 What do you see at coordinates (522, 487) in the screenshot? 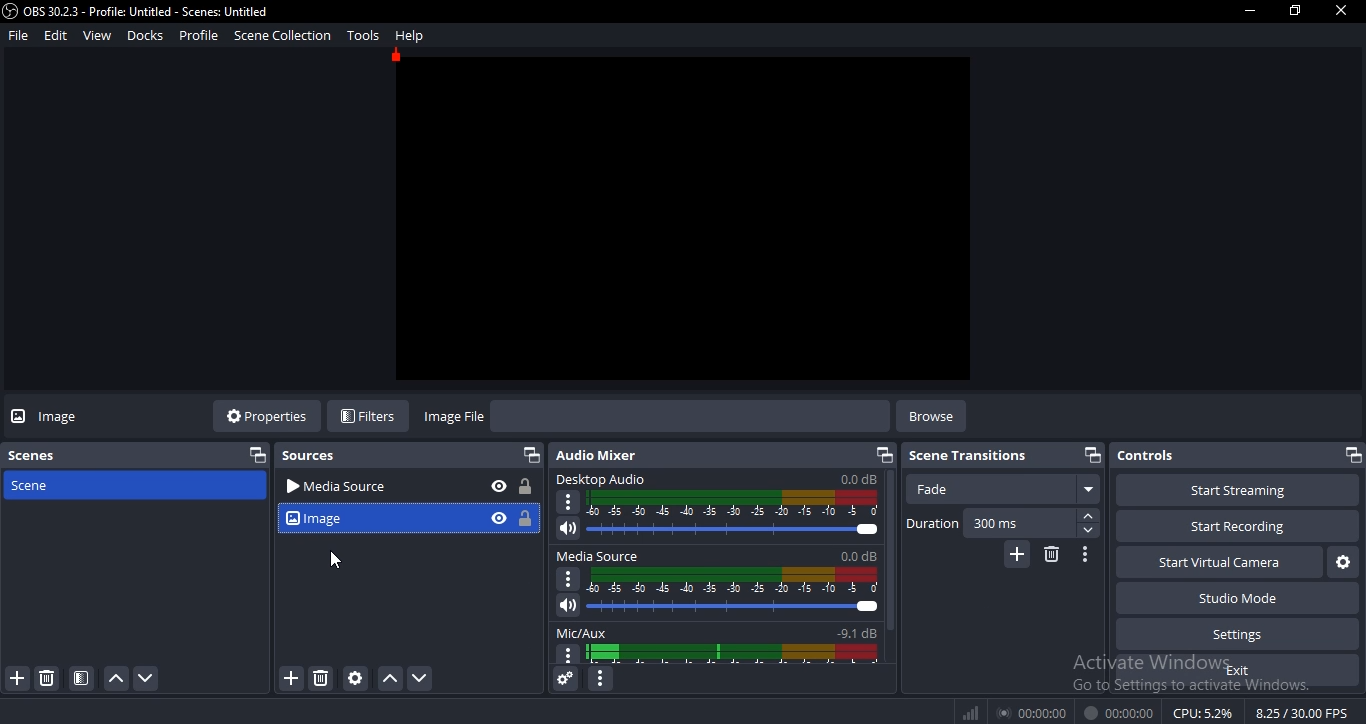
I see `lock` at bounding box center [522, 487].